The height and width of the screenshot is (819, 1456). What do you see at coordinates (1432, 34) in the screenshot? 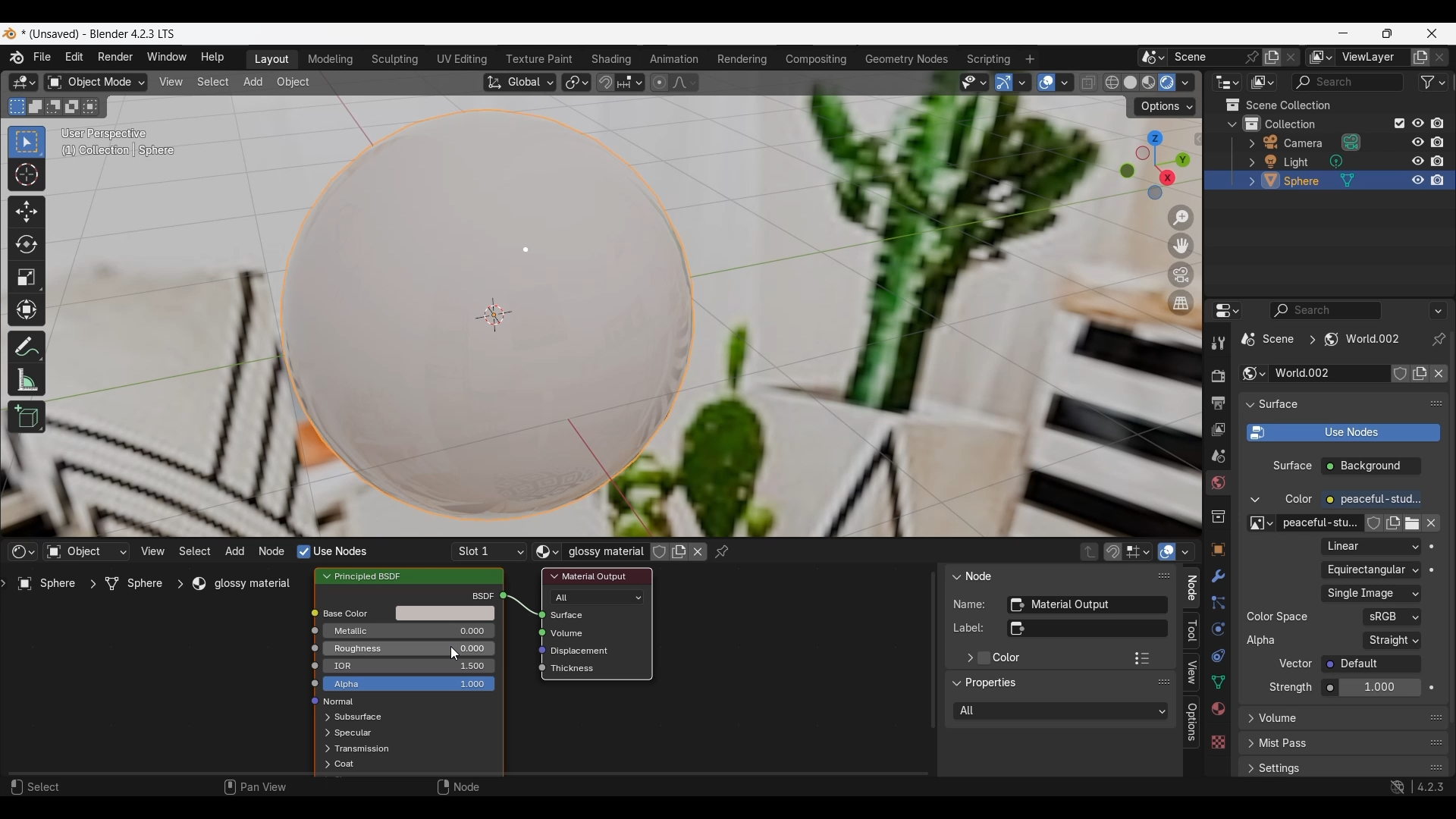
I see `Close interface` at bounding box center [1432, 34].